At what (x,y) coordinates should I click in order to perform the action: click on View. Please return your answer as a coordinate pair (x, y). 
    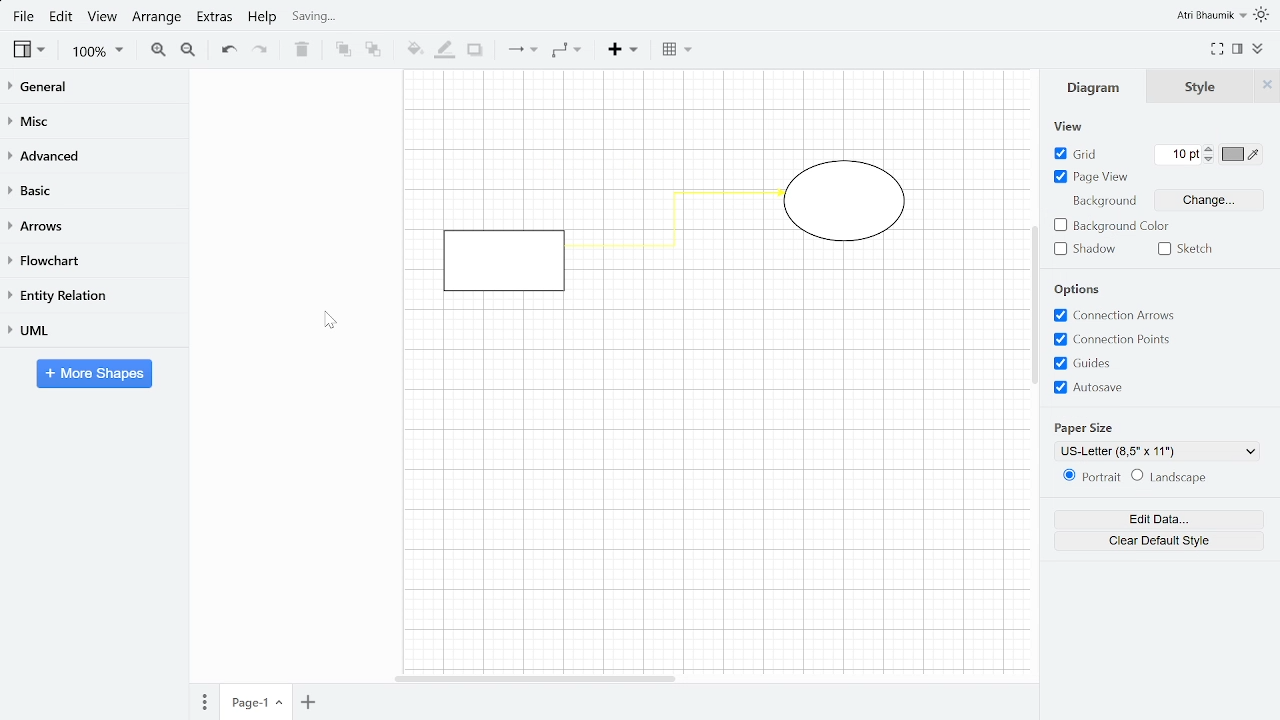
    Looking at the image, I should click on (27, 50).